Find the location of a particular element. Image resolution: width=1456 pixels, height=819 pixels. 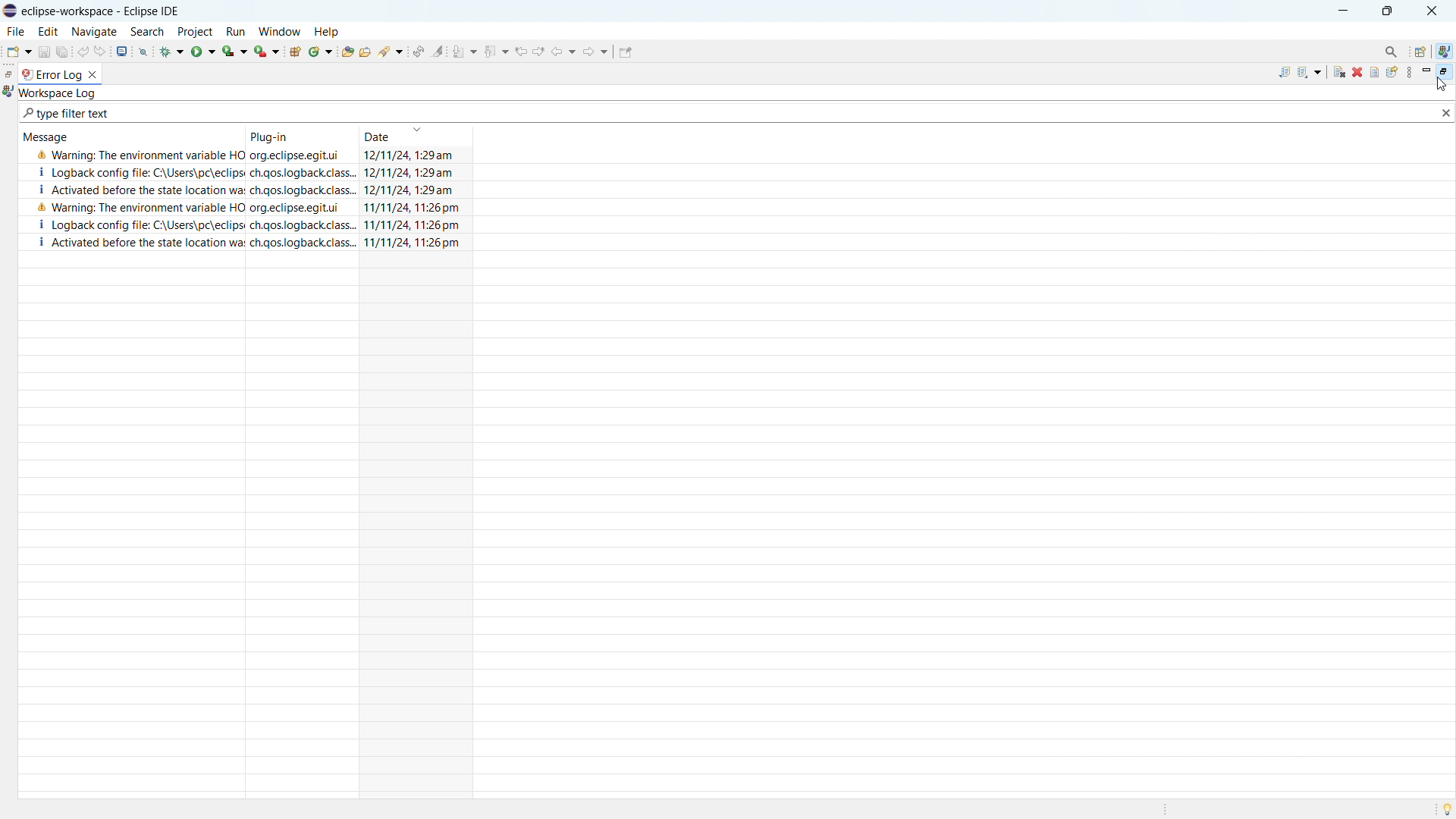

minimise is located at coordinates (1341, 10).